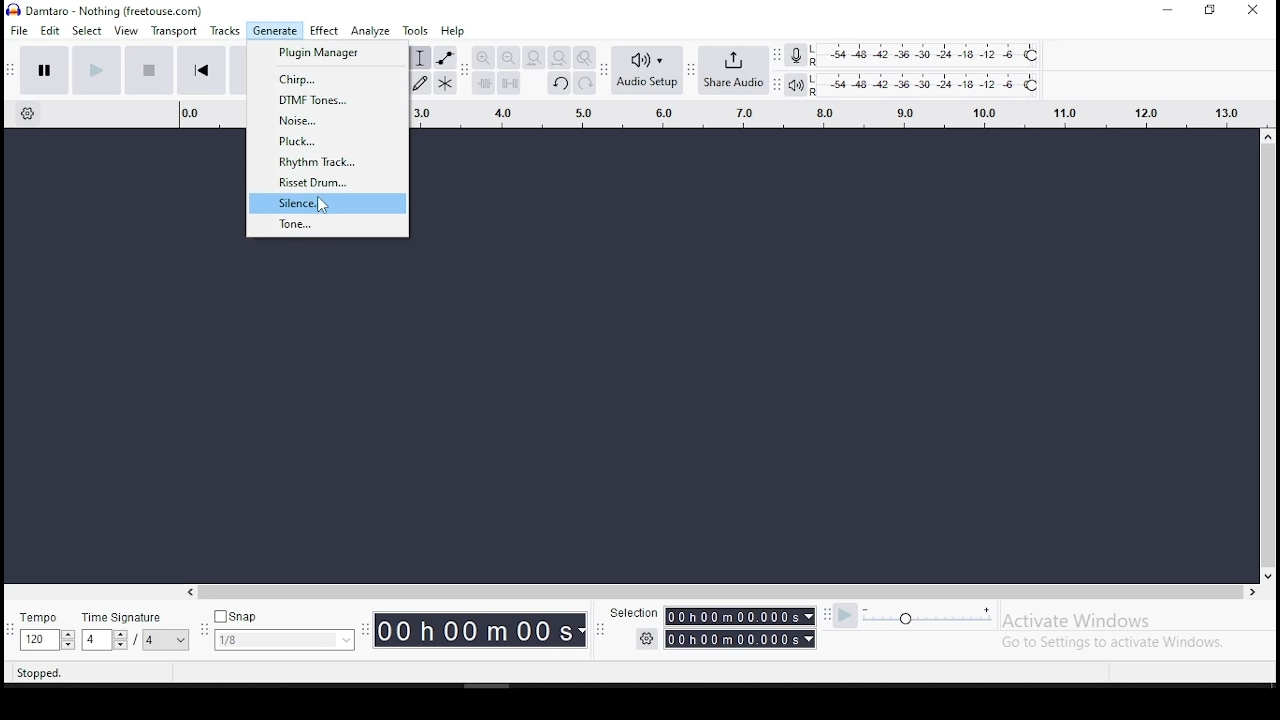 The image size is (1280, 720). Describe the element at coordinates (330, 101) in the screenshot. I see `dtmf tones` at that location.